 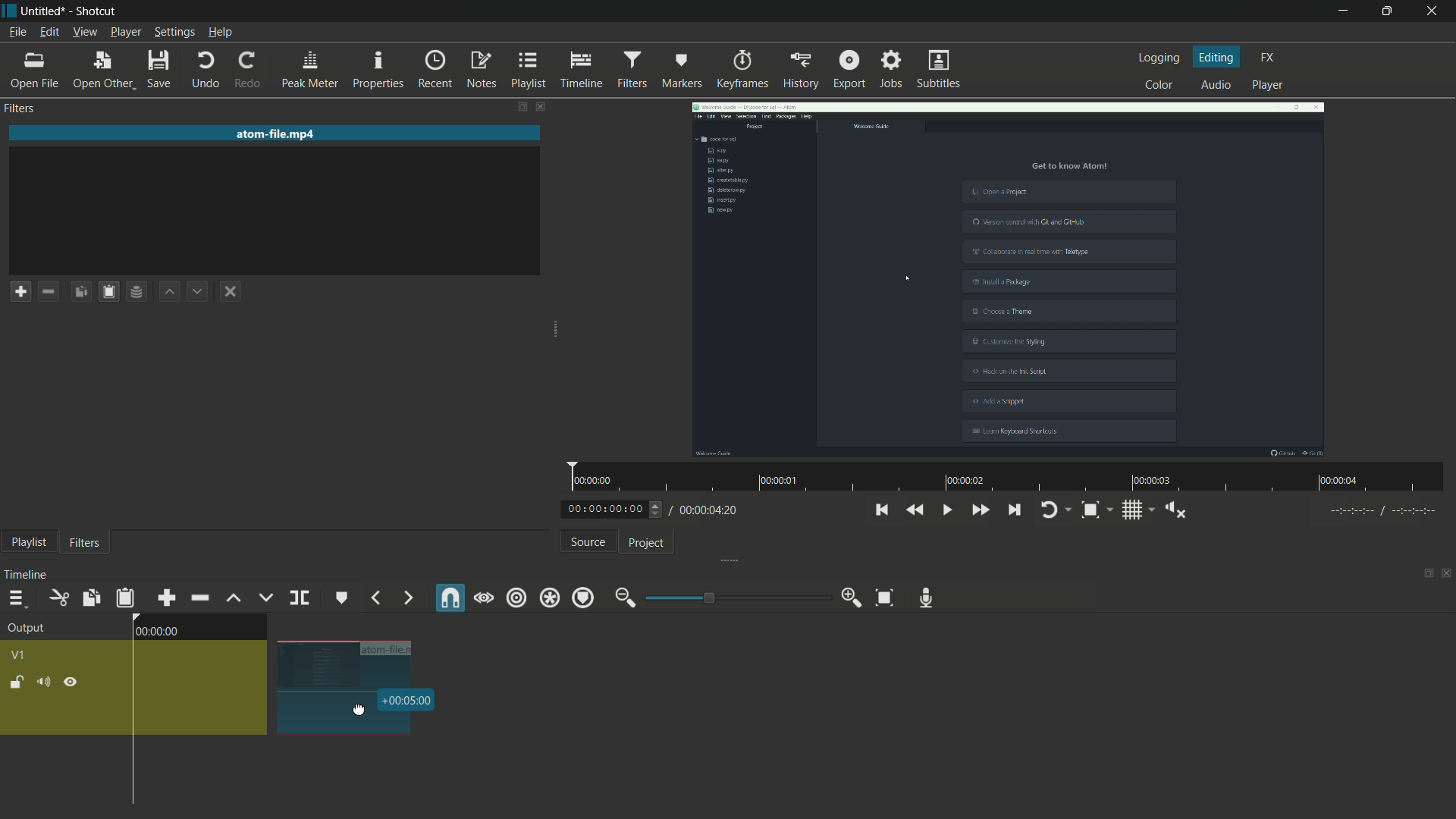 What do you see at coordinates (167, 598) in the screenshot?
I see `    ` at bounding box center [167, 598].